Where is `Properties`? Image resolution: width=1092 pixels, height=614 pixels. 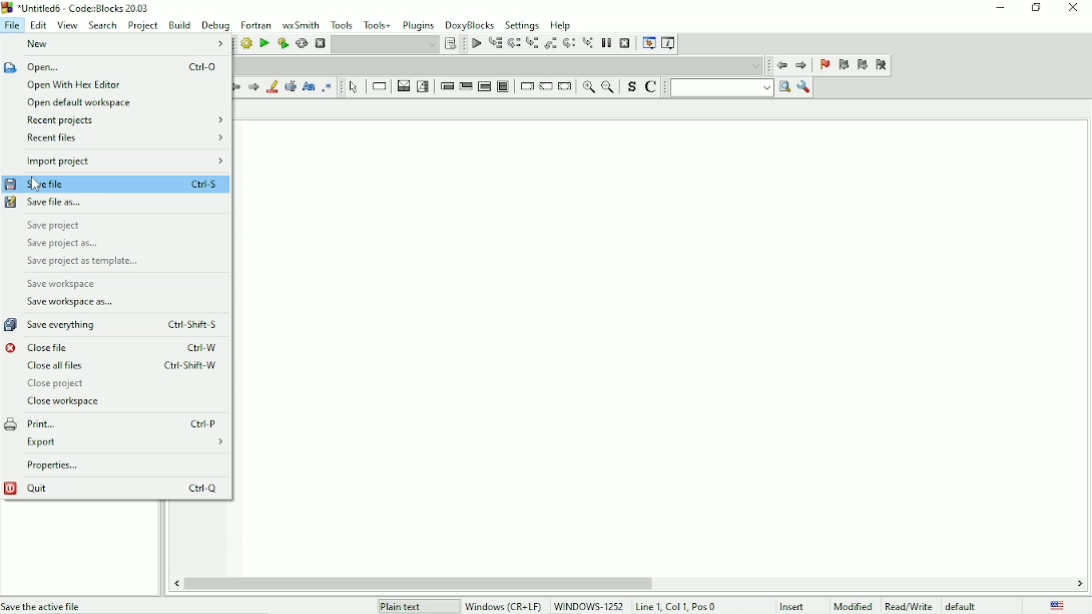
Properties is located at coordinates (52, 465).